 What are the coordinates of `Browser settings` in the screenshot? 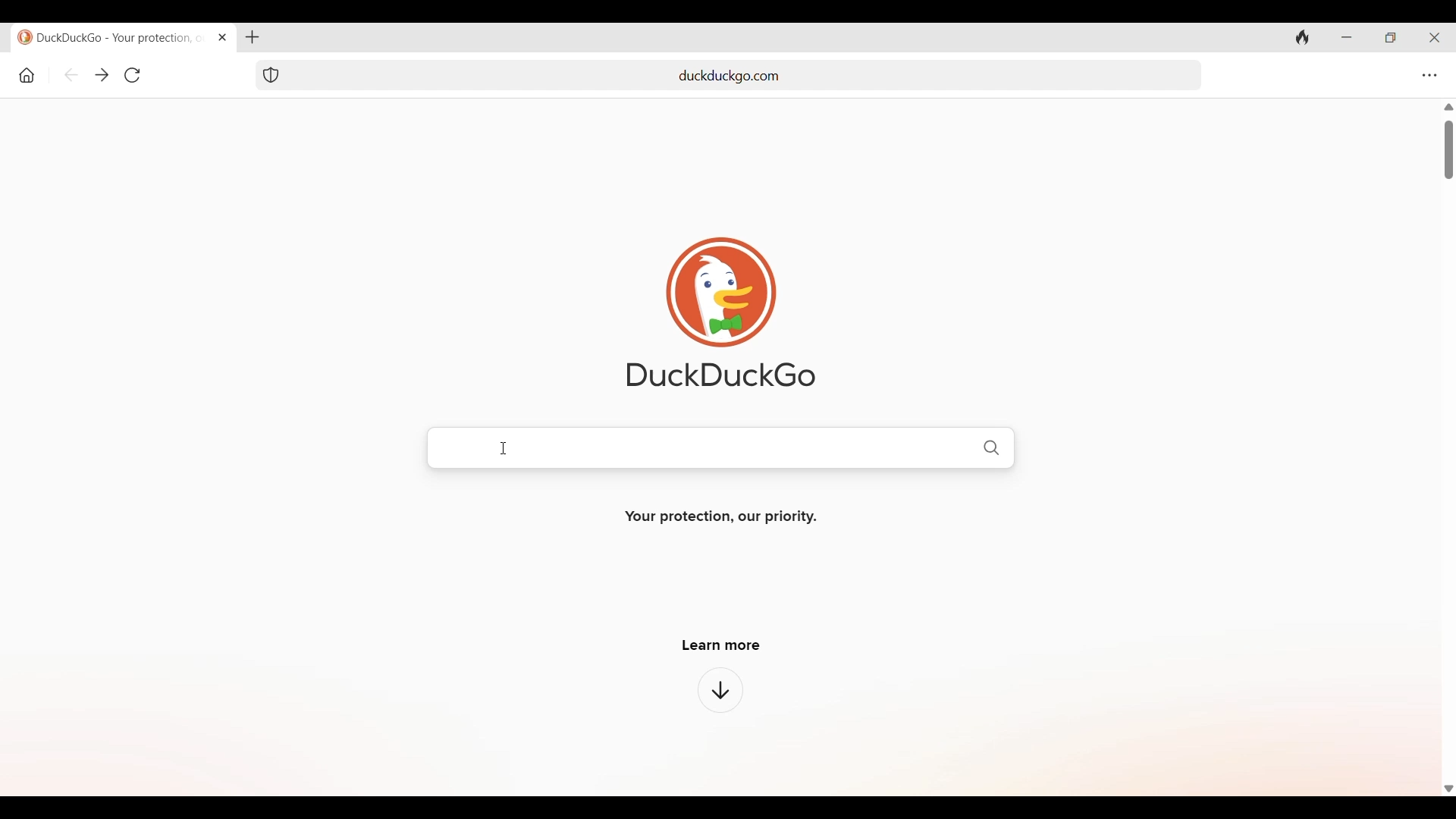 It's located at (1429, 76).